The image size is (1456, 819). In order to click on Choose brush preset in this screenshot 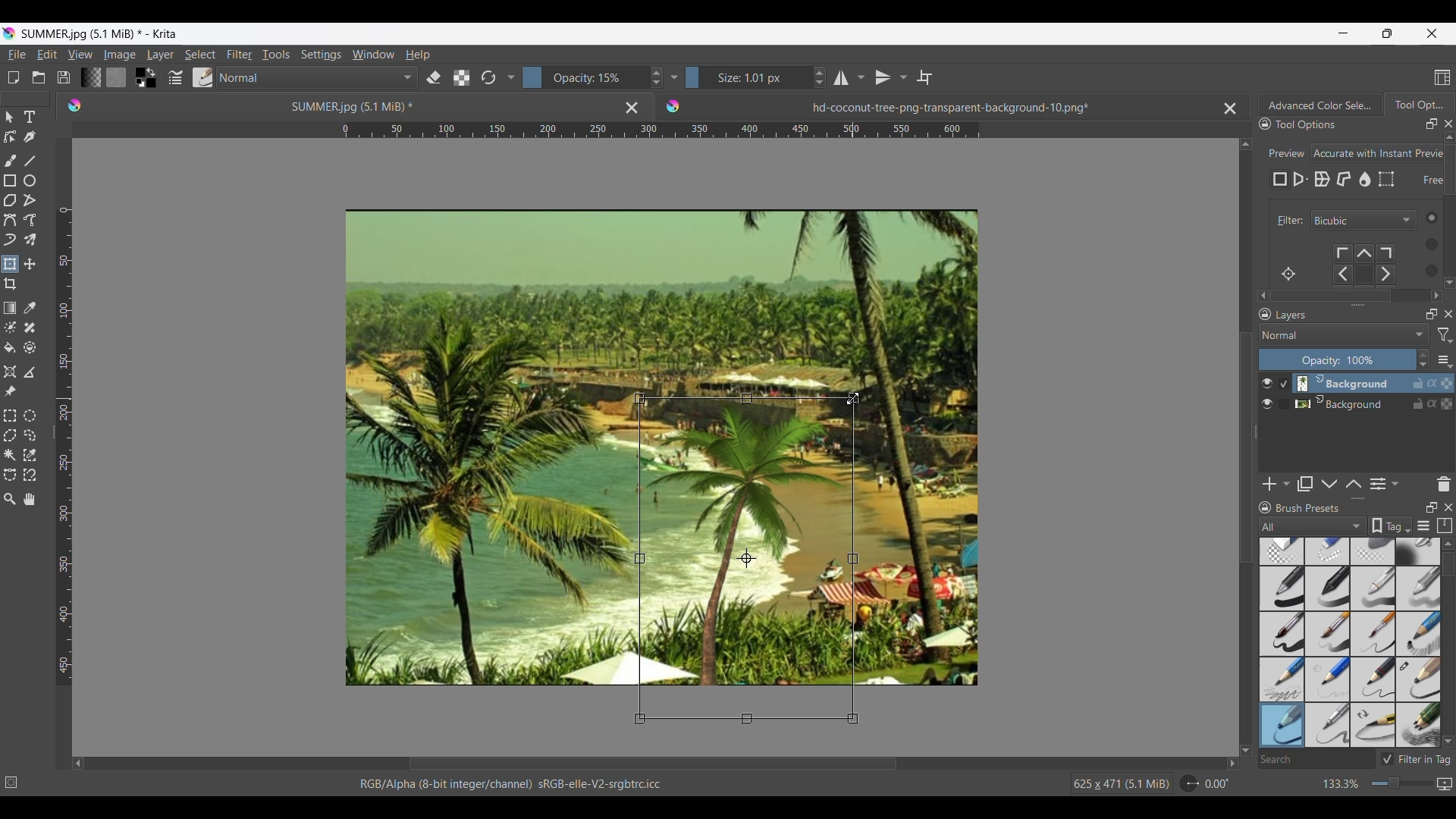, I will do `click(202, 77)`.